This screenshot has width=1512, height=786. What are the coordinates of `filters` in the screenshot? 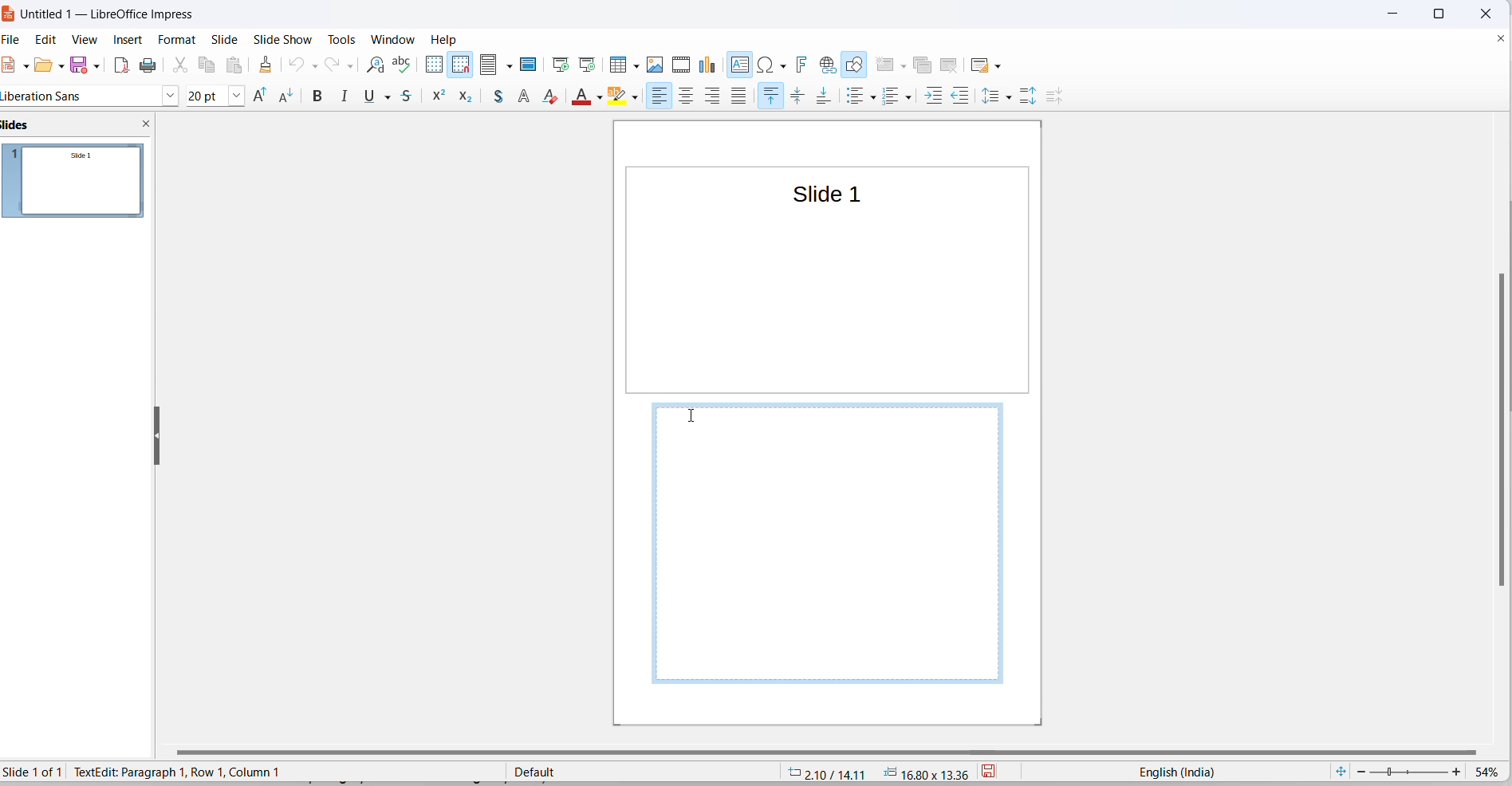 It's located at (781, 97).